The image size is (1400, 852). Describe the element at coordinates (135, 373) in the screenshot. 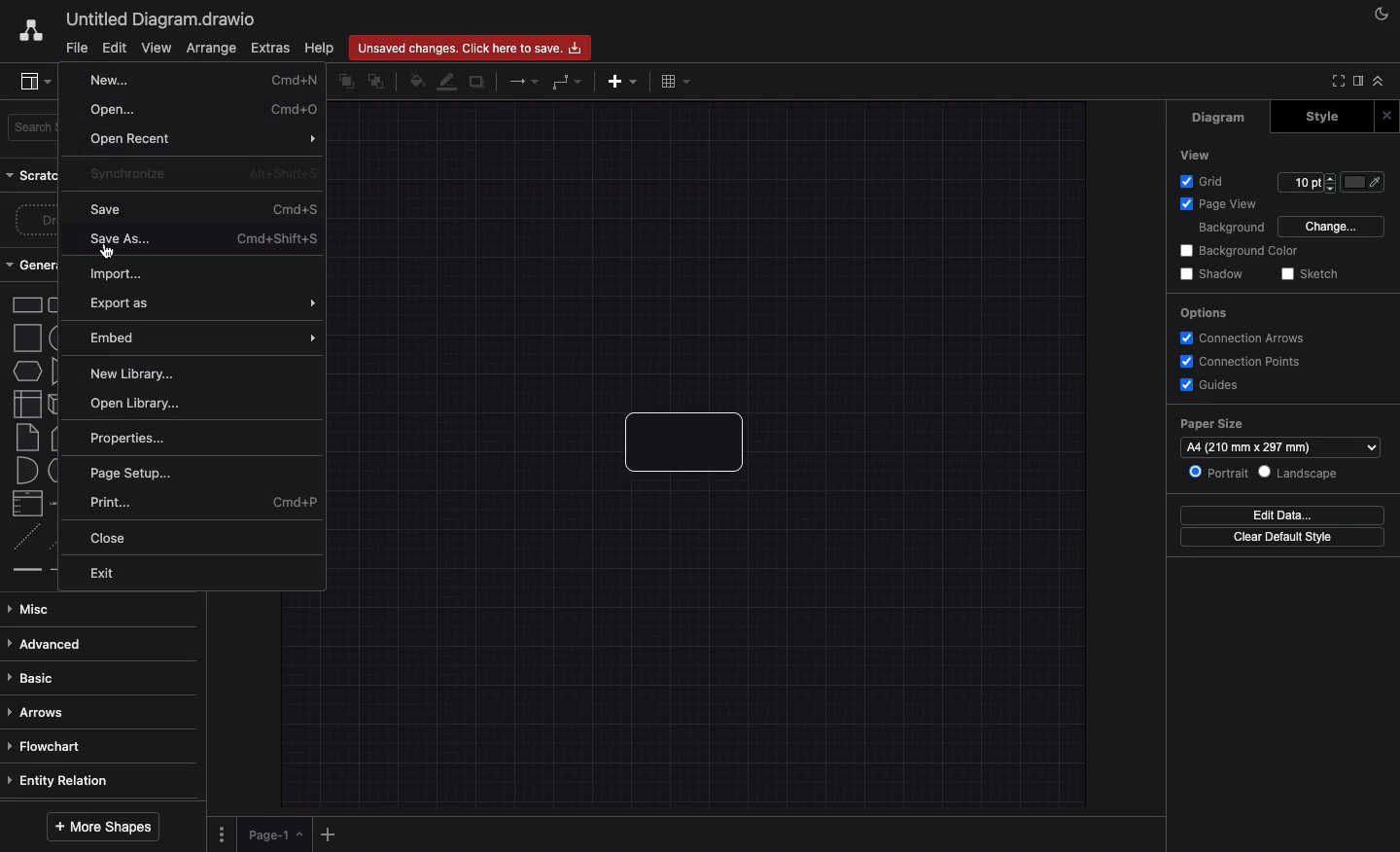

I see `New library ` at that location.